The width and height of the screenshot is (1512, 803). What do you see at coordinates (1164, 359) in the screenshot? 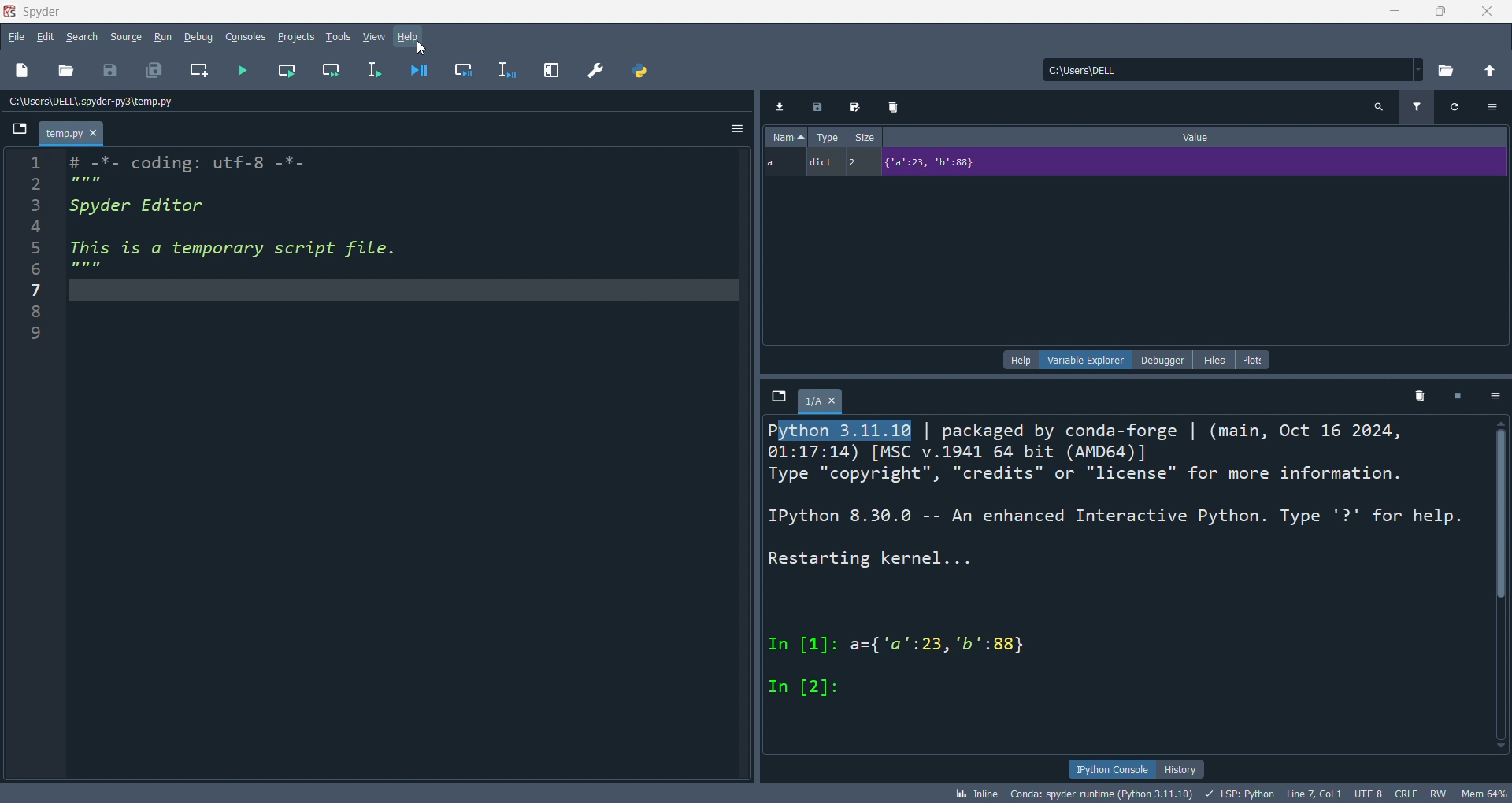
I see `debugger` at bounding box center [1164, 359].